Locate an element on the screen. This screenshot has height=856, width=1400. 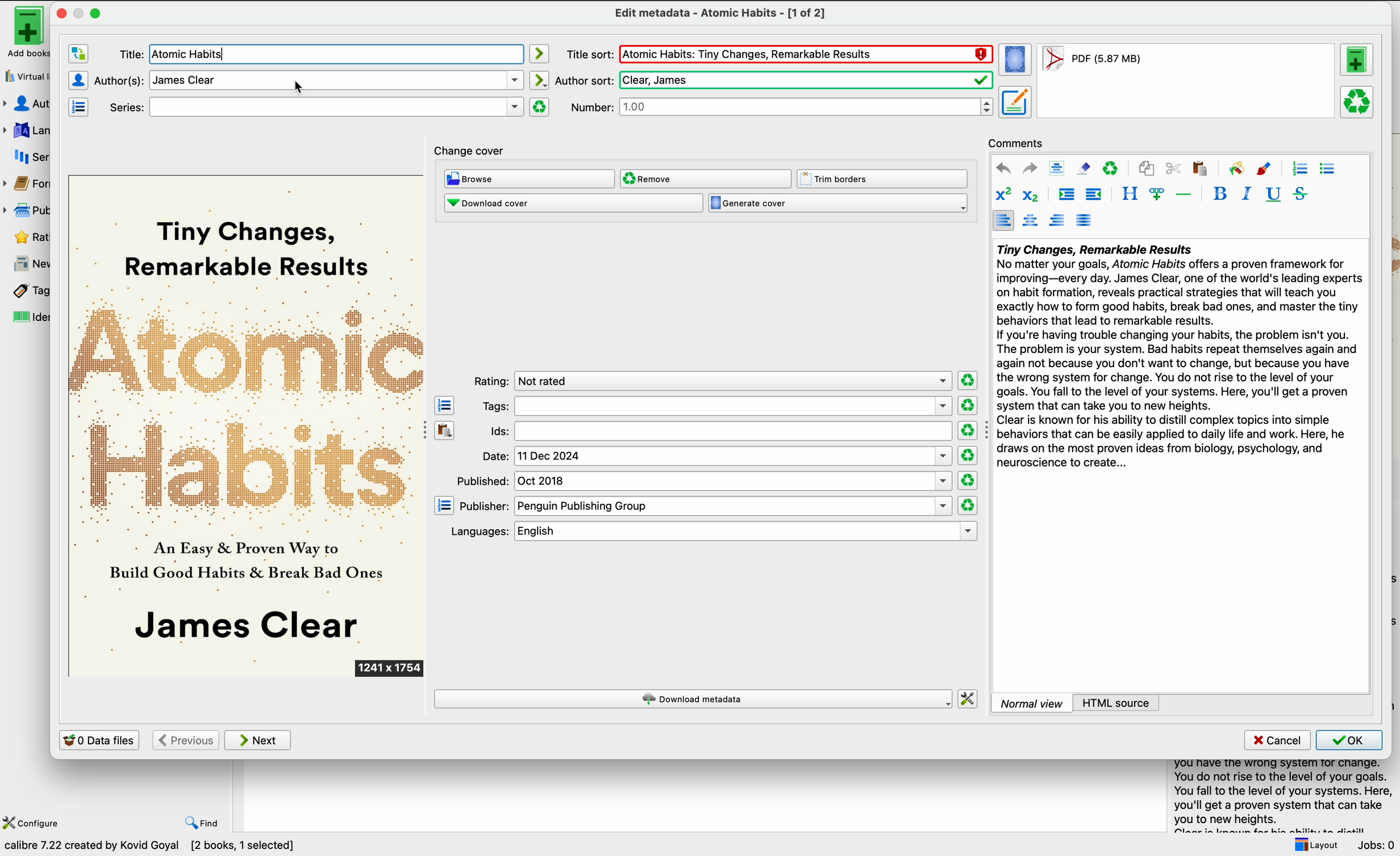
foreground color is located at coordinates (1265, 168).